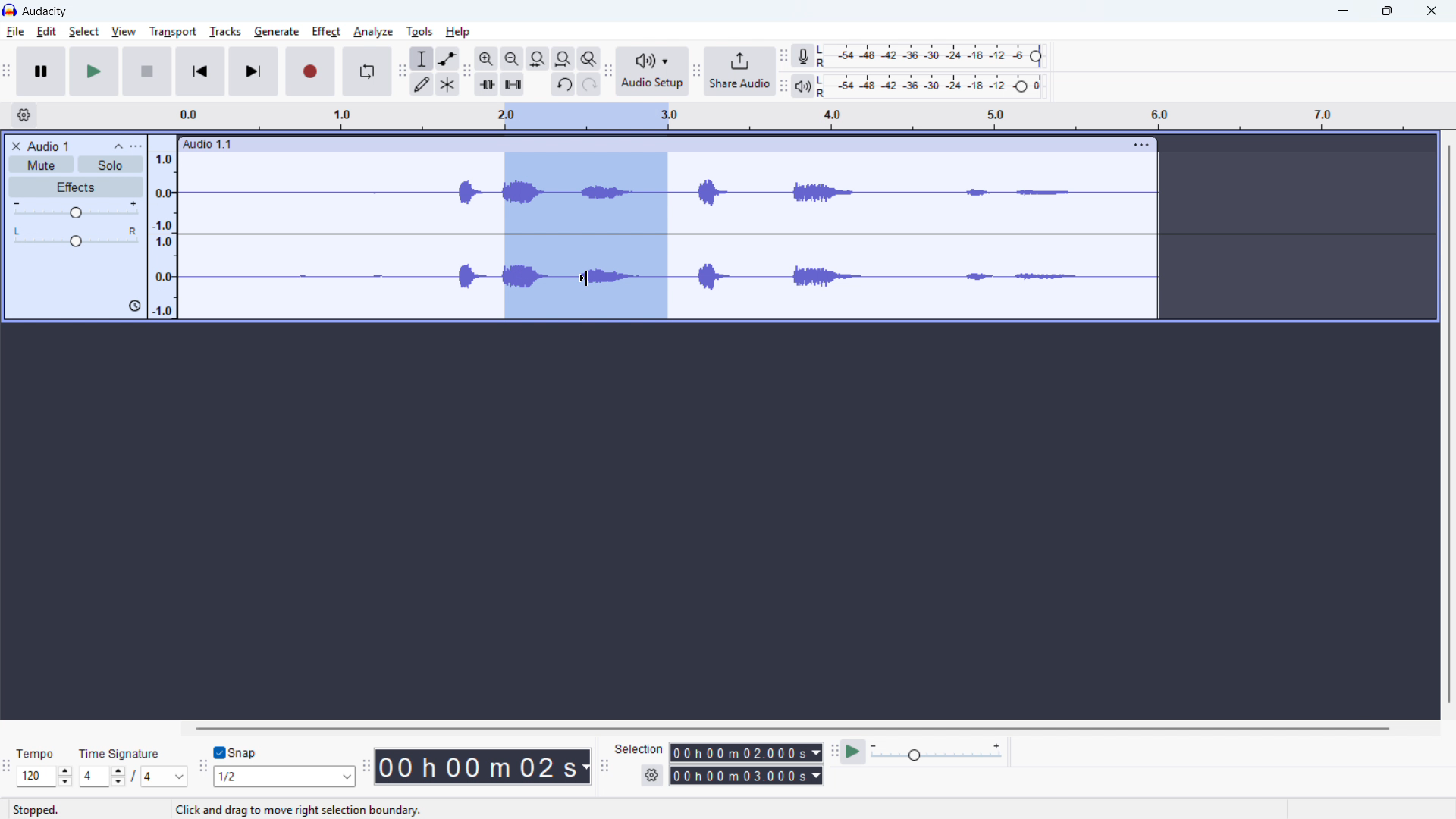  What do you see at coordinates (649, 144) in the screenshot?
I see `Audio 1:1` at bounding box center [649, 144].